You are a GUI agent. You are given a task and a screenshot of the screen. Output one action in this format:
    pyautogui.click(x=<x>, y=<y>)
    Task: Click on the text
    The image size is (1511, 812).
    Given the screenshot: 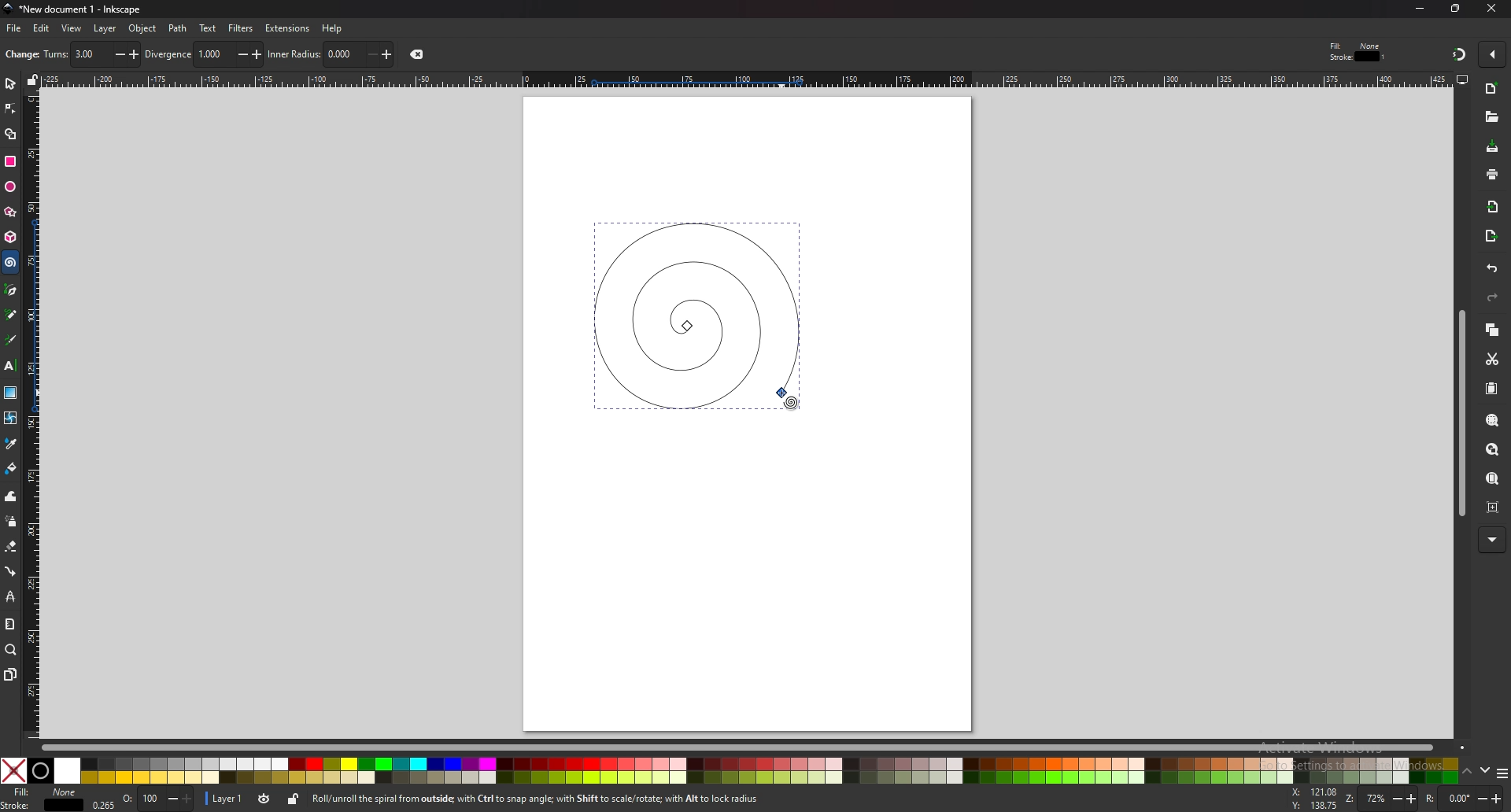 What is the action you would take?
    pyautogui.click(x=207, y=28)
    